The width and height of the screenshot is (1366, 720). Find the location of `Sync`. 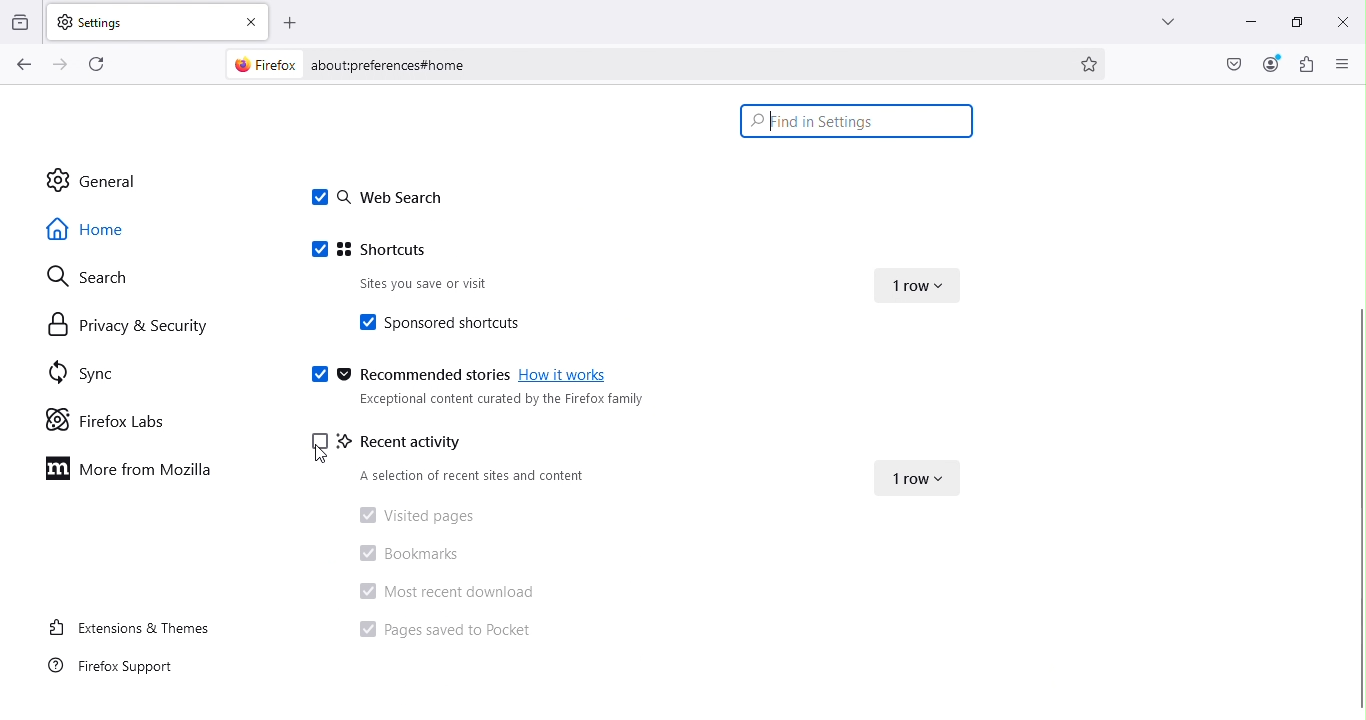

Sync is located at coordinates (77, 370).